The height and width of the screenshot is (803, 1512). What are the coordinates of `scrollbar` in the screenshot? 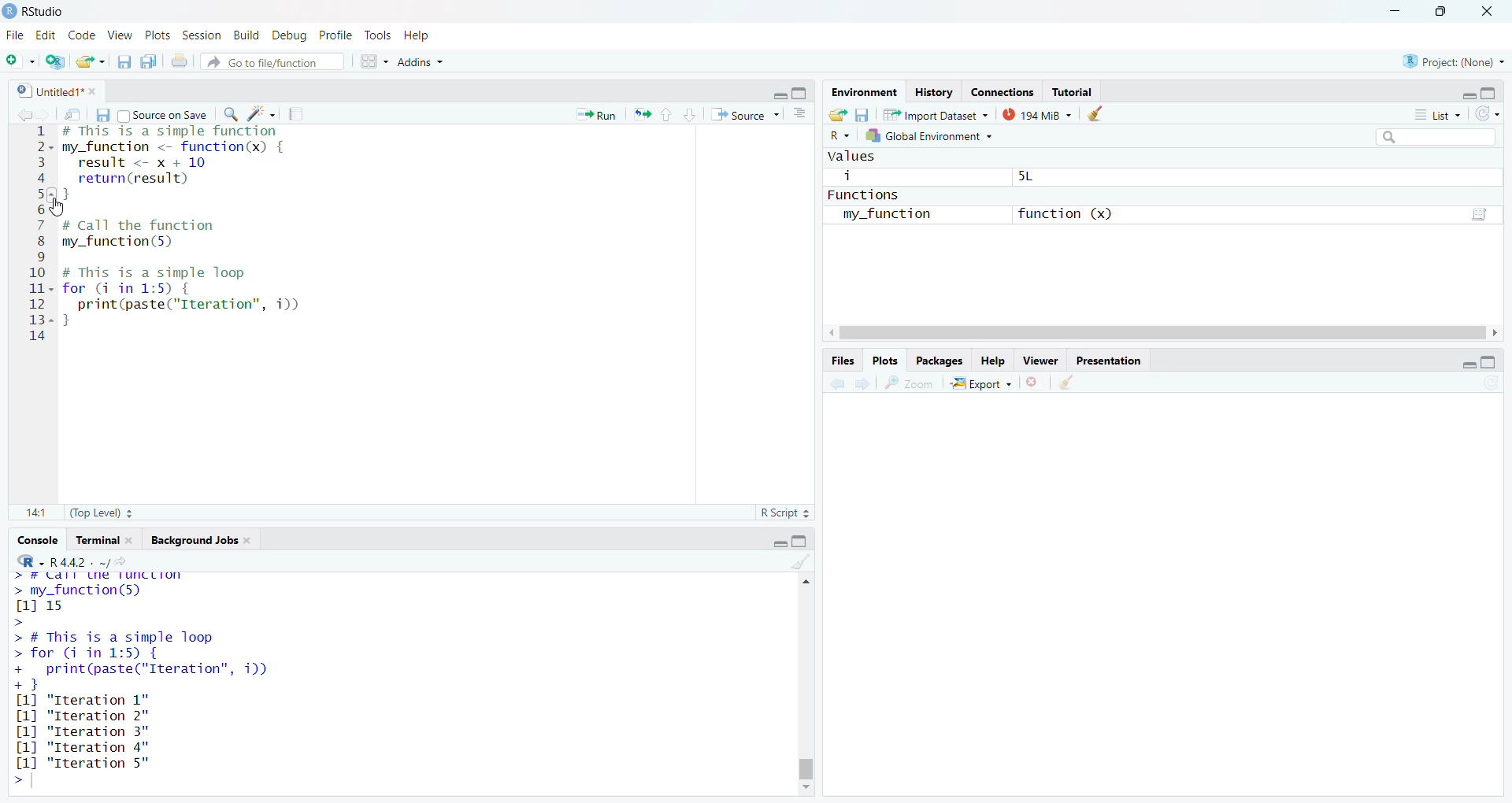 It's located at (806, 689).